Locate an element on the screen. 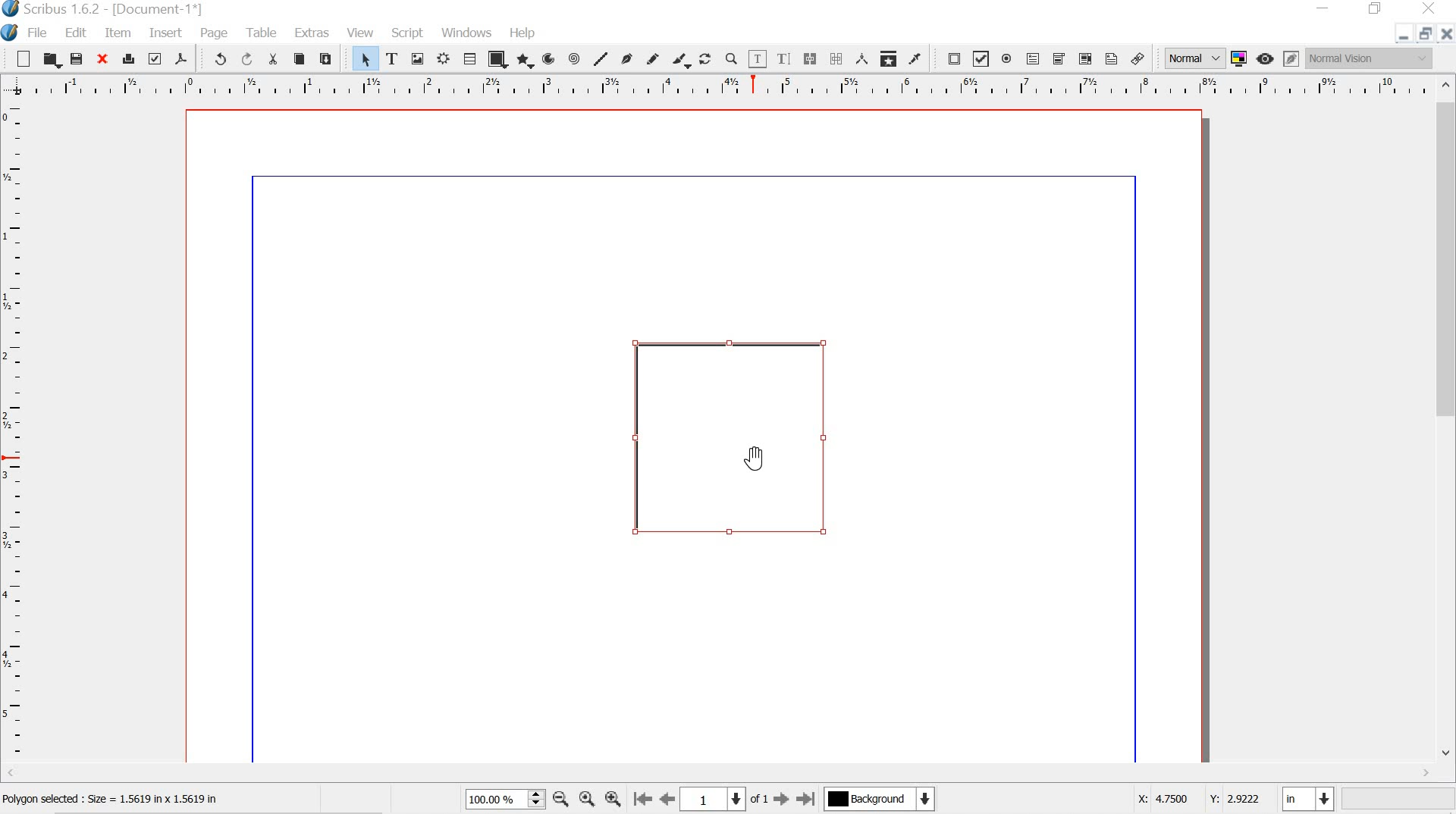  background is located at coordinates (886, 800).